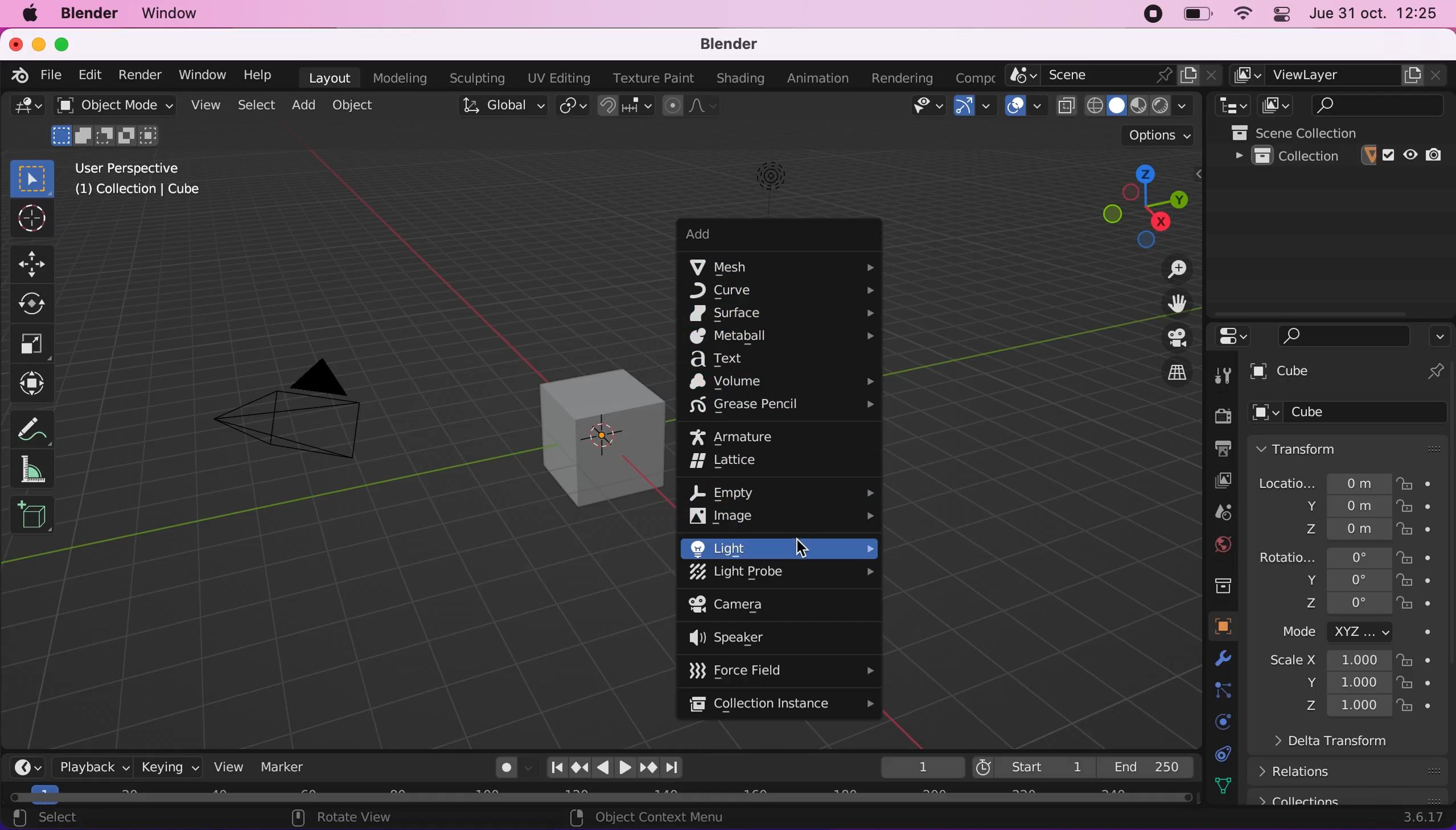  What do you see at coordinates (649, 768) in the screenshot?
I see `Jump to keyframe` at bounding box center [649, 768].